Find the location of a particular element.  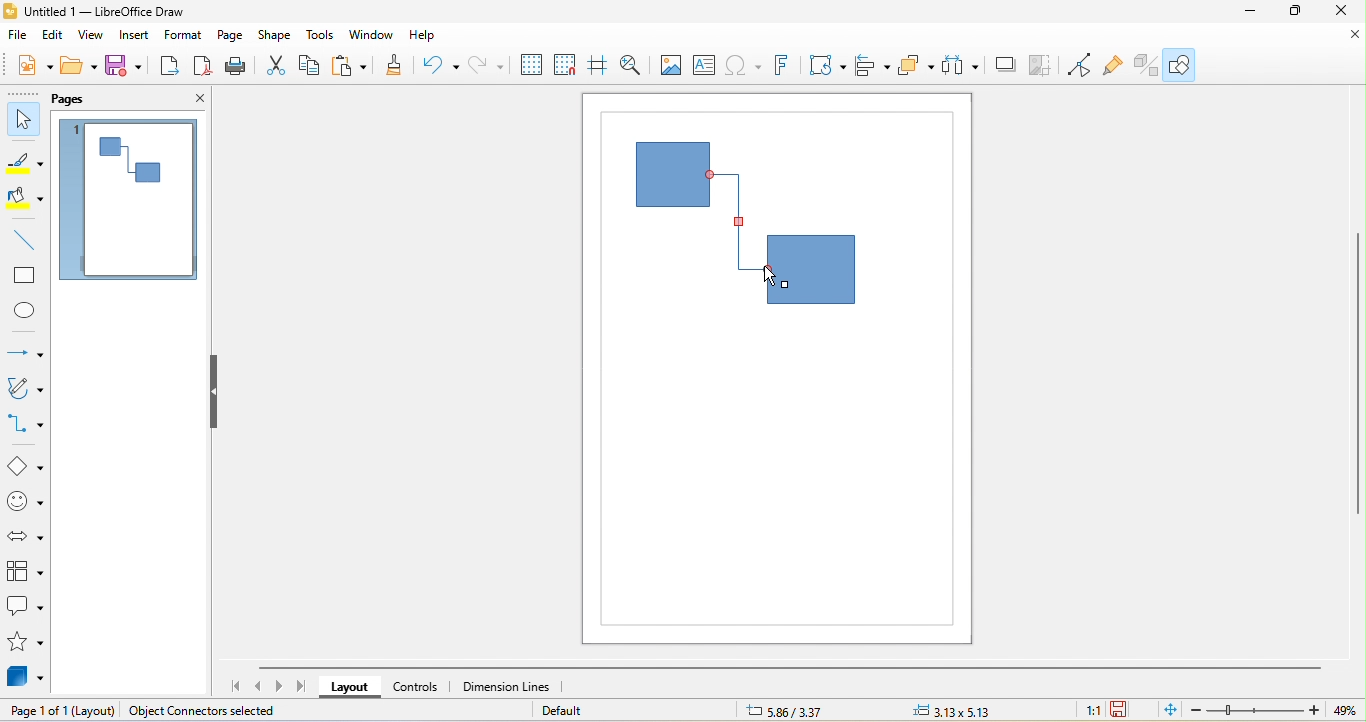

vertical scroll bar is located at coordinates (1357, 381).